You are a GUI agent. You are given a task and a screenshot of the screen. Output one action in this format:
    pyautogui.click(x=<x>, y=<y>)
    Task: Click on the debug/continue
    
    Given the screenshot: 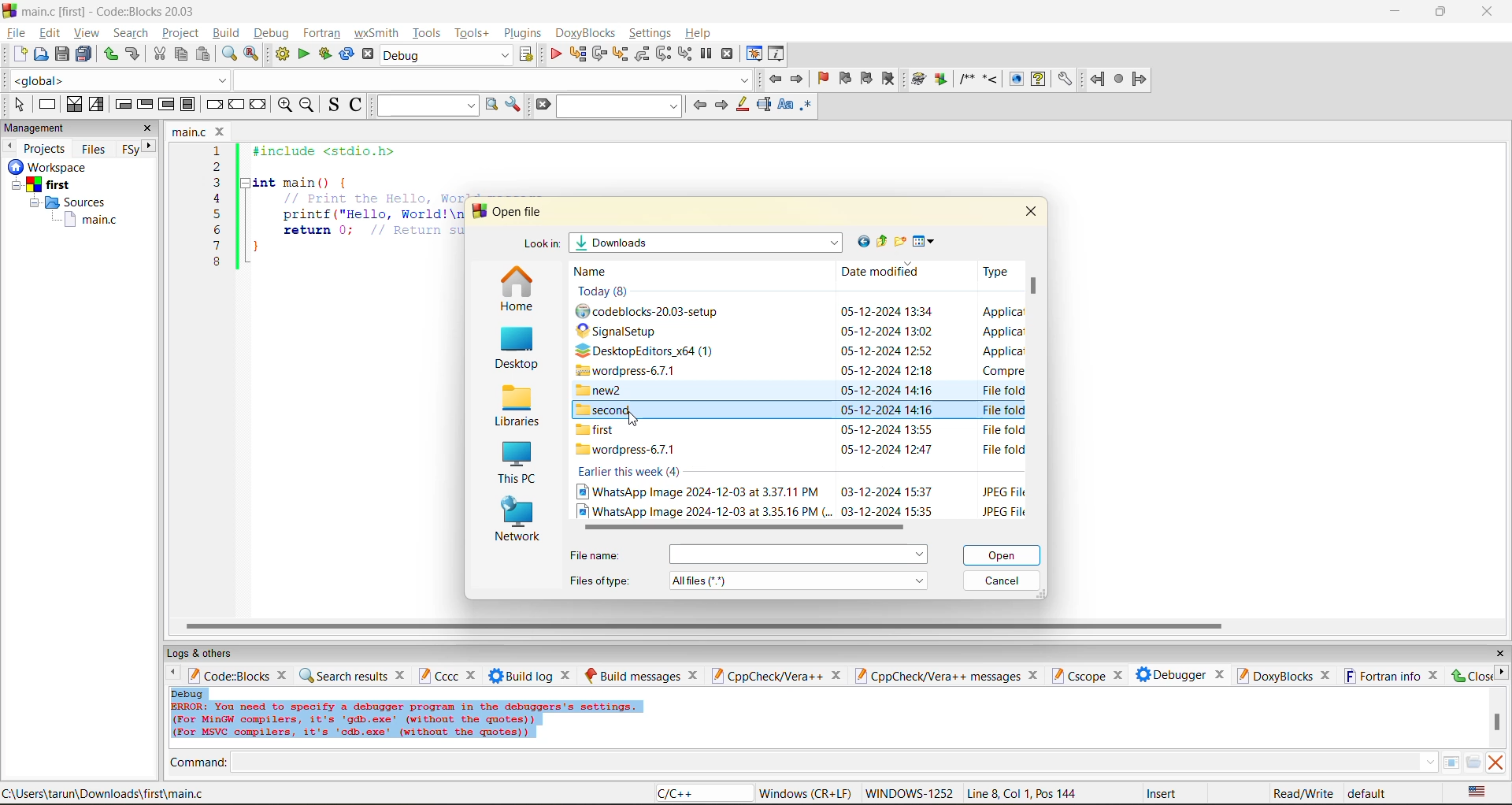 What is the action you would take?
    pyautogui.click(x=555, y=54)
    